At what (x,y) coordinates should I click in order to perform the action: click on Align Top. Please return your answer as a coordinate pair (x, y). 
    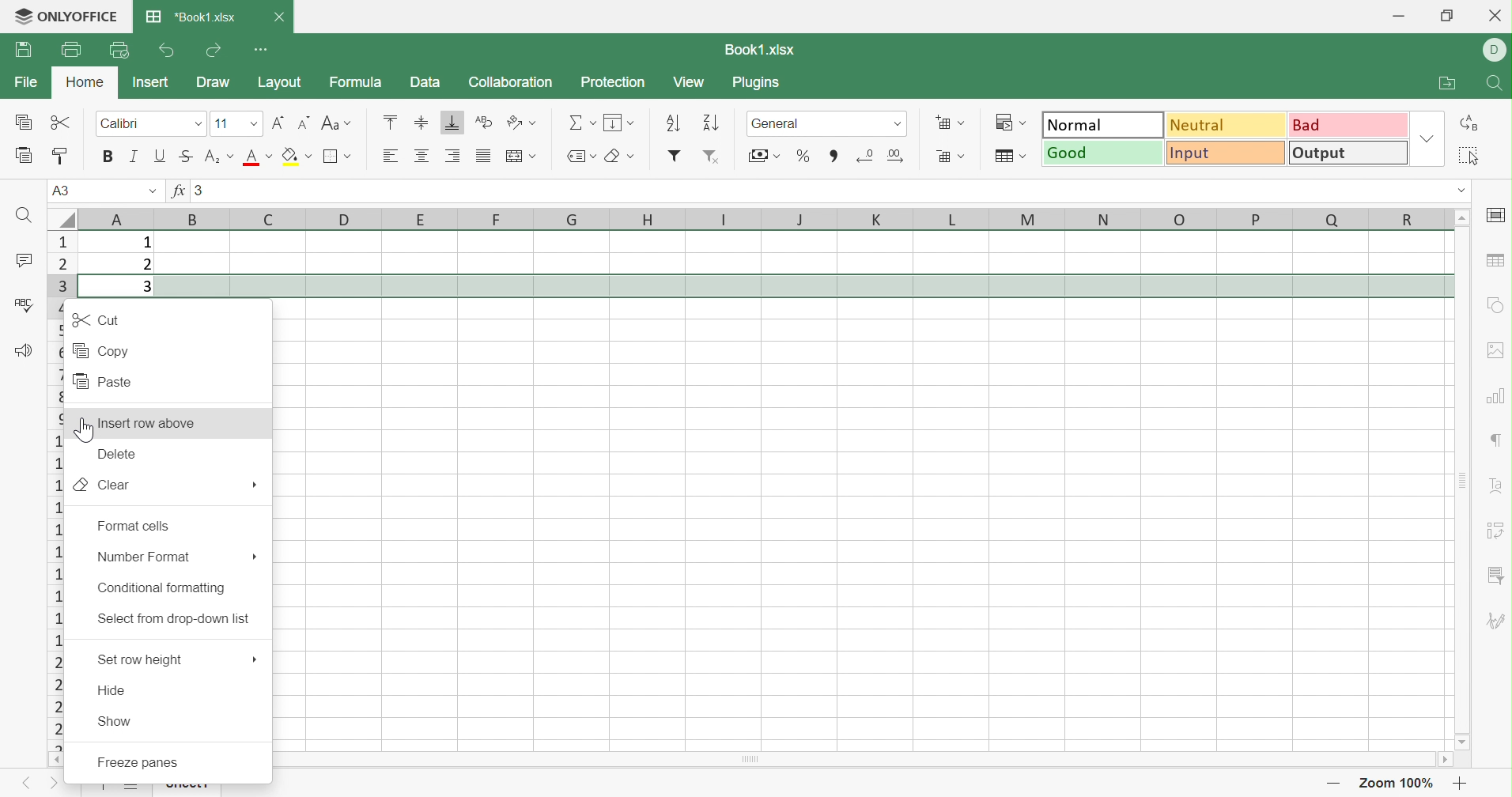
    Looking at the image, I should click on (388, 122).